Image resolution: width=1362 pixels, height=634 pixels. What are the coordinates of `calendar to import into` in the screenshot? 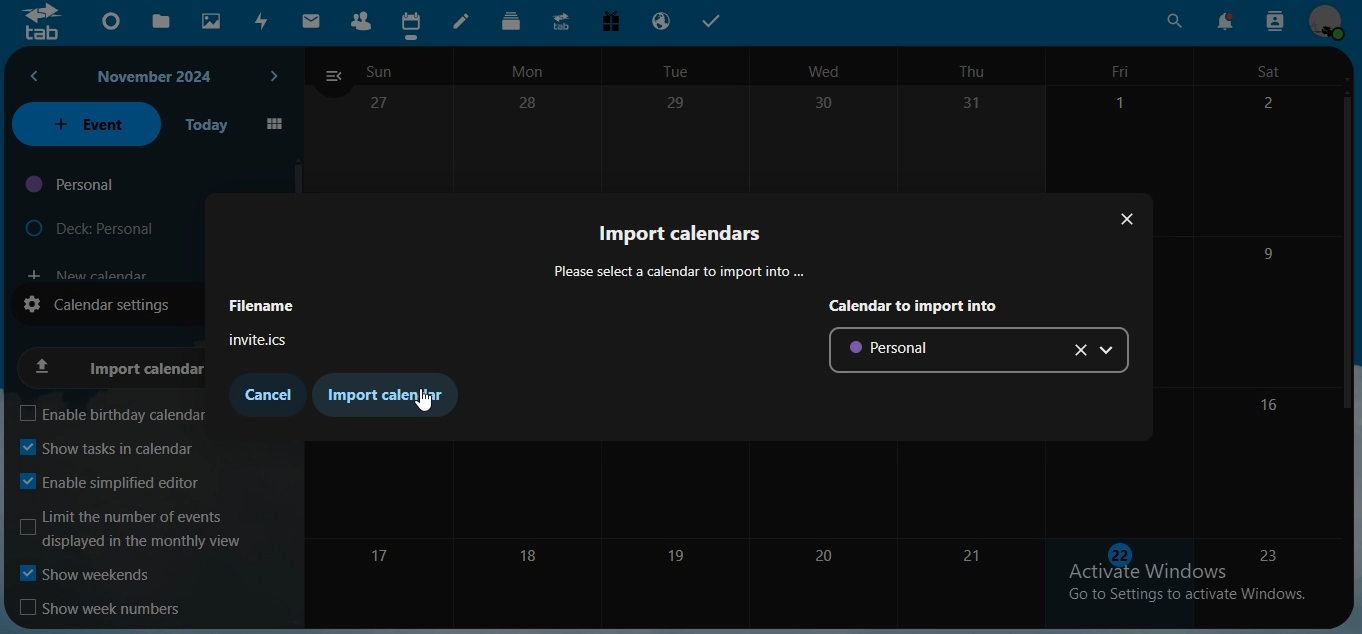 It's located at (918, 305).